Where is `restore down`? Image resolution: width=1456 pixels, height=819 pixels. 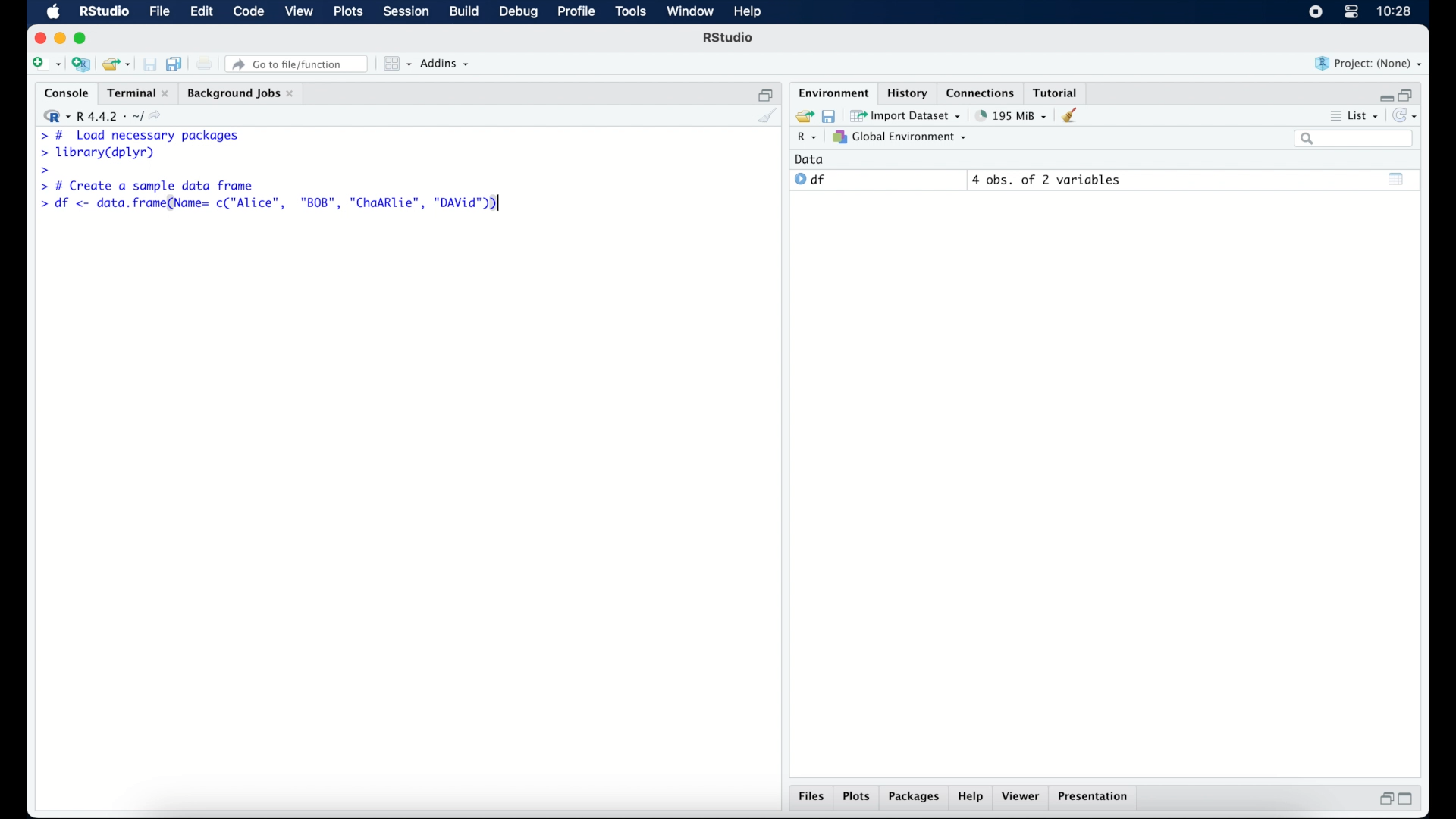
restore down is located at coordinates (1384, 800).